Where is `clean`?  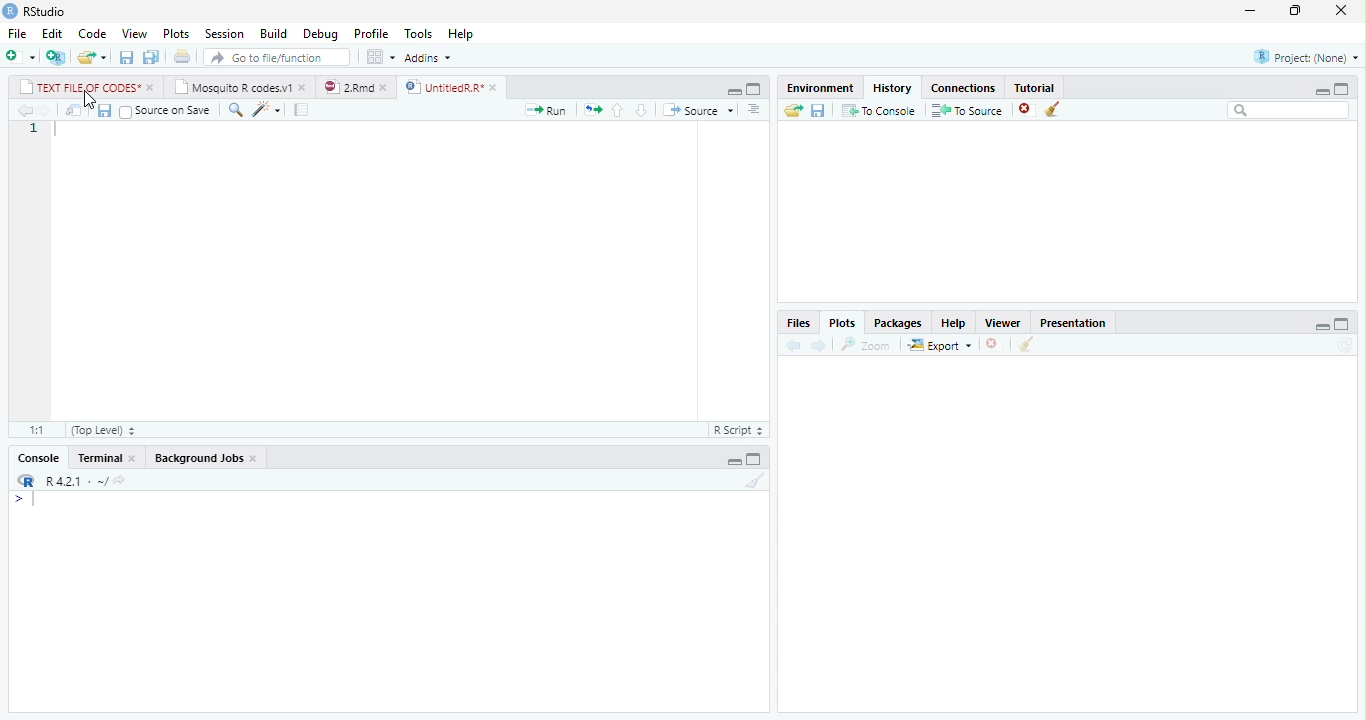
clean is located at coordinates (1027, 344).